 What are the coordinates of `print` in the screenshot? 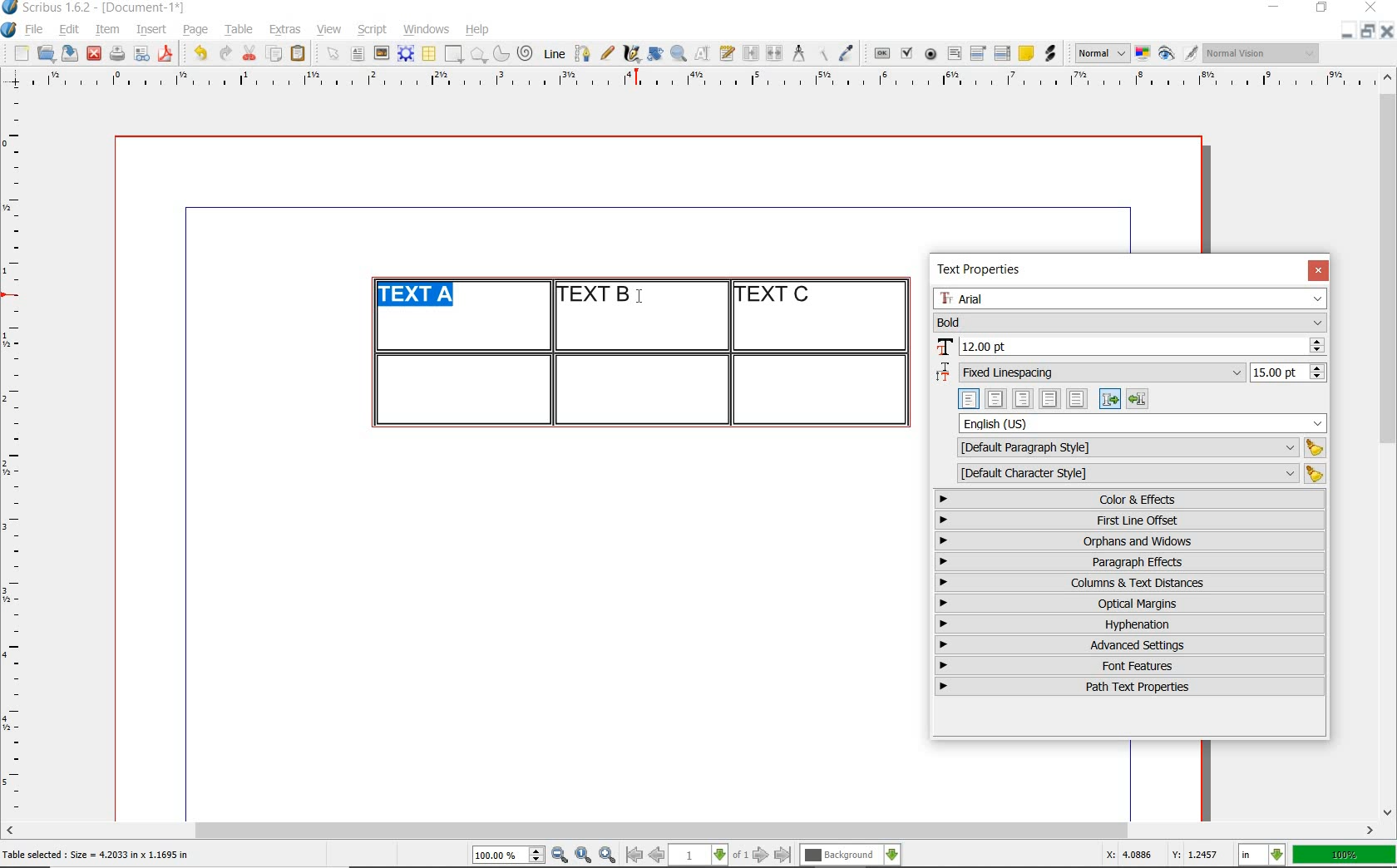 It's located at (116, 53).